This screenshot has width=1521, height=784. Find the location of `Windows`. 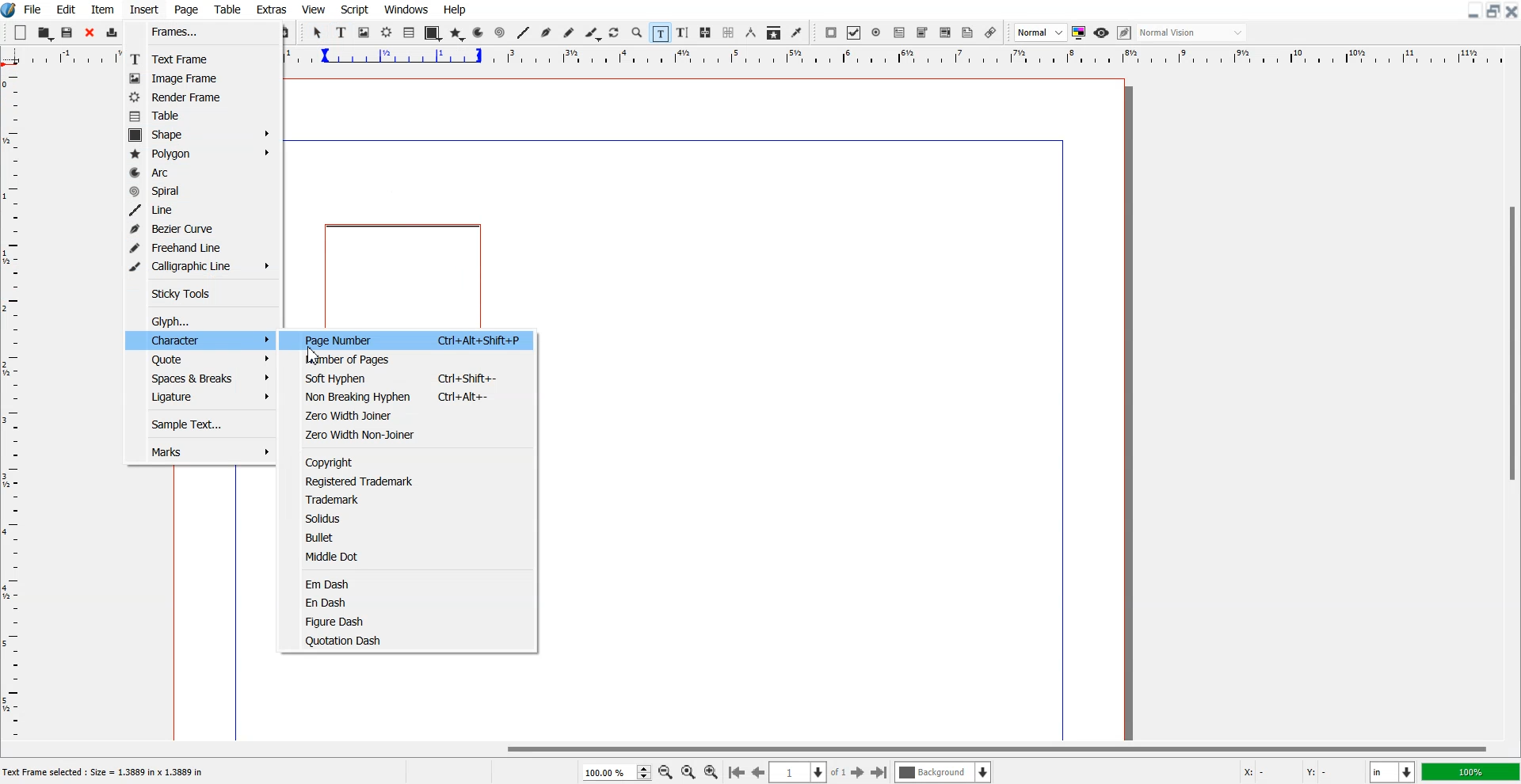

Windows is located at coordinates (407, 9).